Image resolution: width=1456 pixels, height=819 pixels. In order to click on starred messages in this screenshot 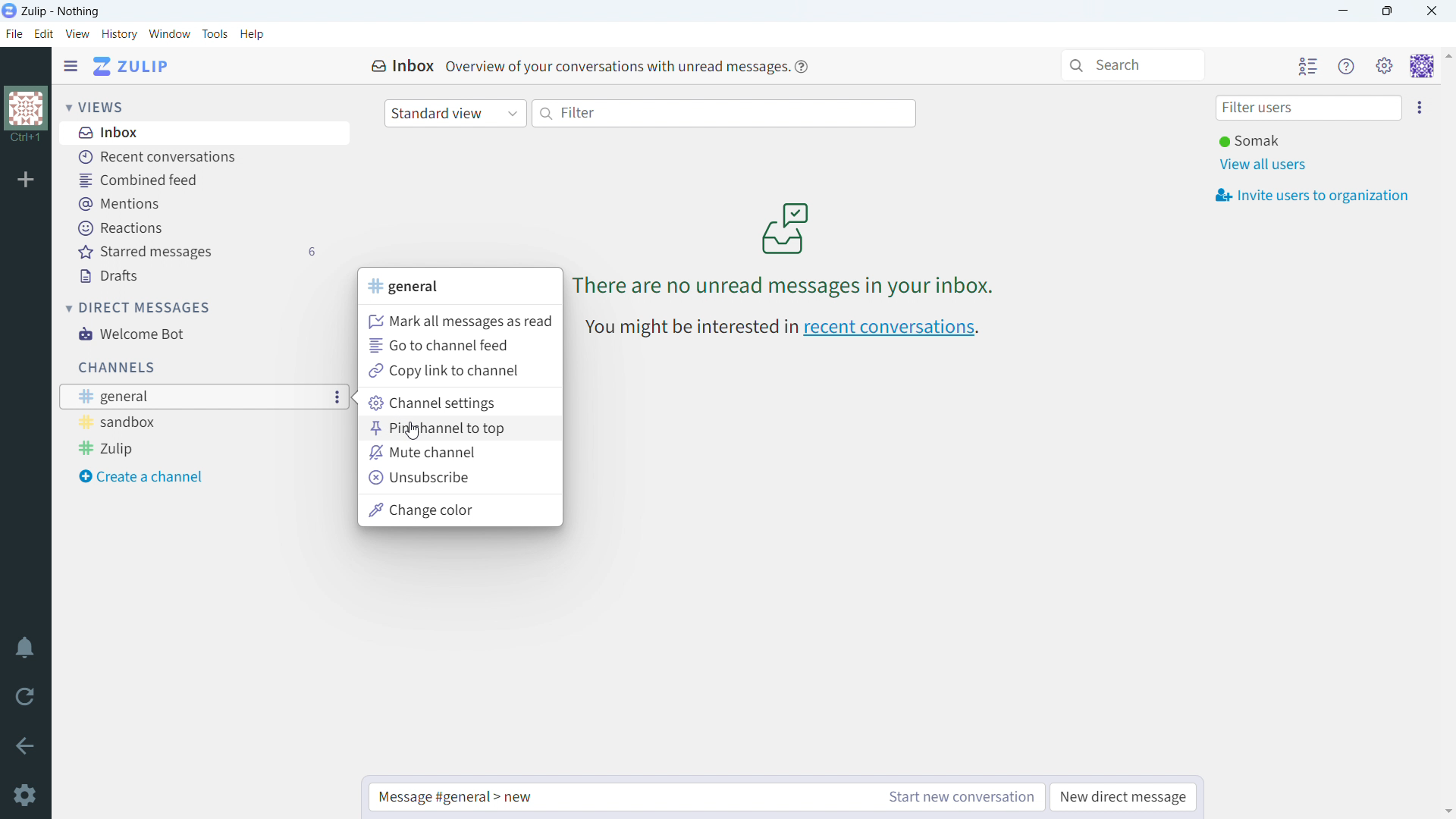, I will do `click(196, 253)`.